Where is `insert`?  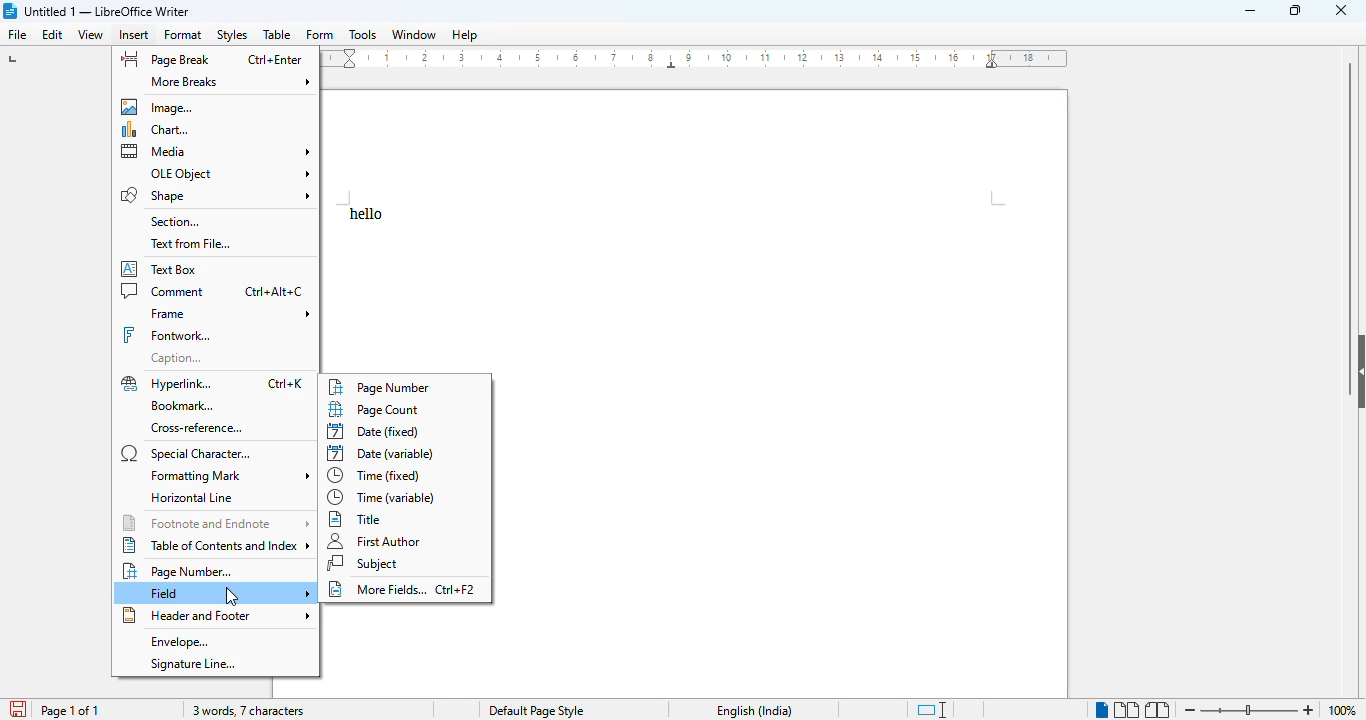
insert is located at coordinates (134, 35).